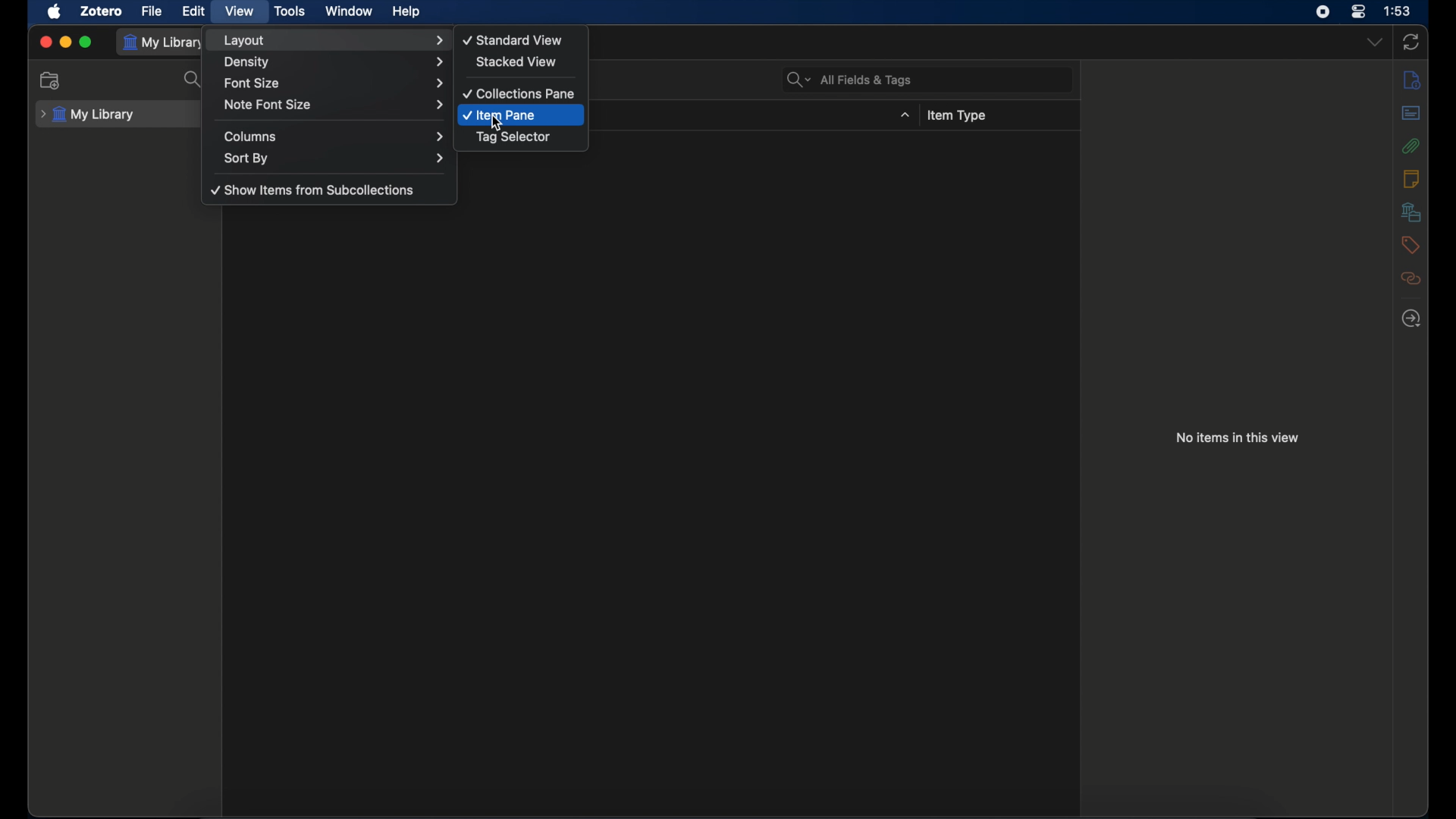 This screenshot has height=819, width=1456. What do you see at coordinates (1412, 319) in the screenshot?
I see `locate` at bounding box center [1412, 319].